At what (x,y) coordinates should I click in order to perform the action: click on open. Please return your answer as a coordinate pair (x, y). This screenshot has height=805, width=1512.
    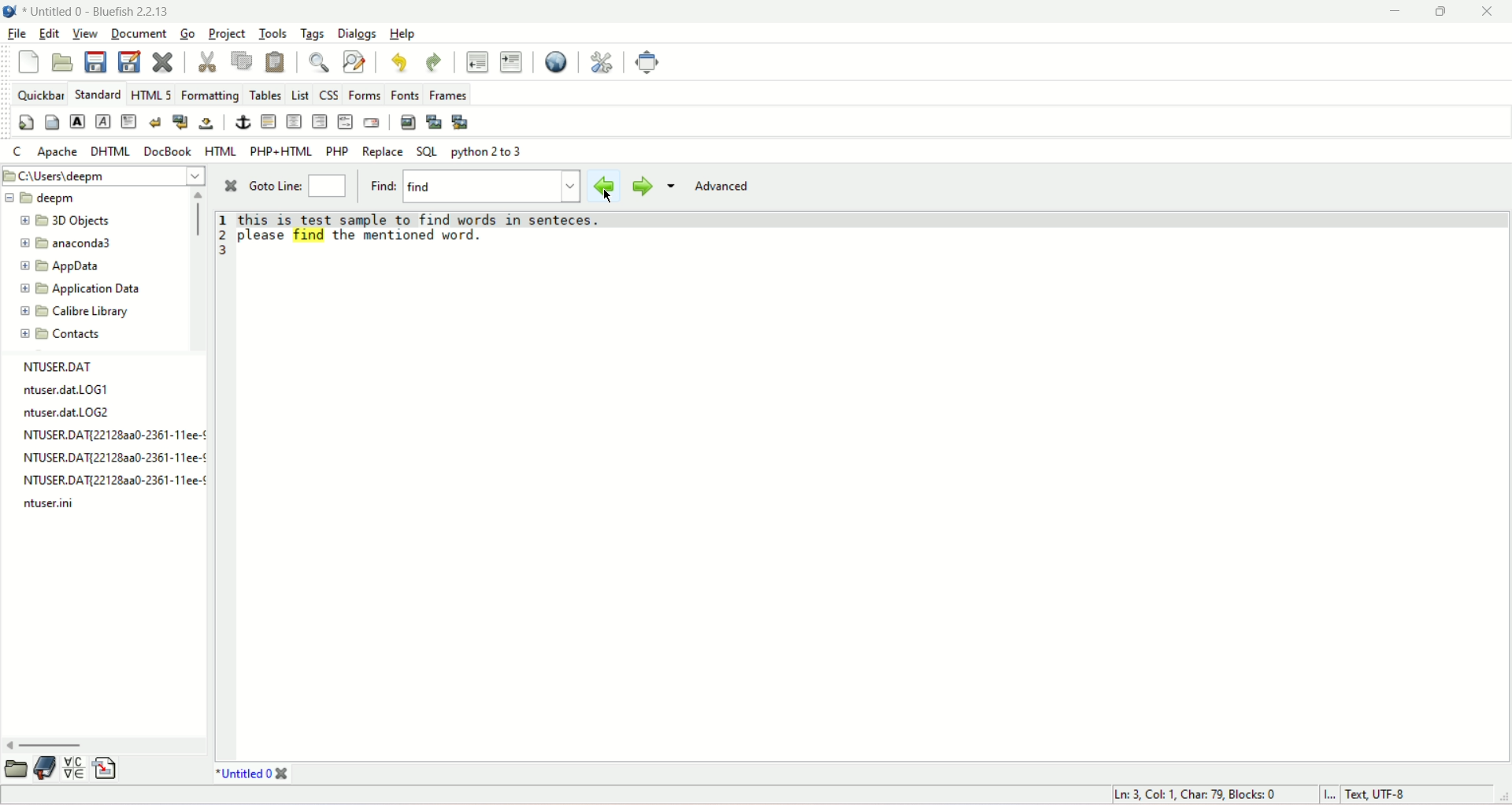
    Looking at the image, I should click on (62, 62).